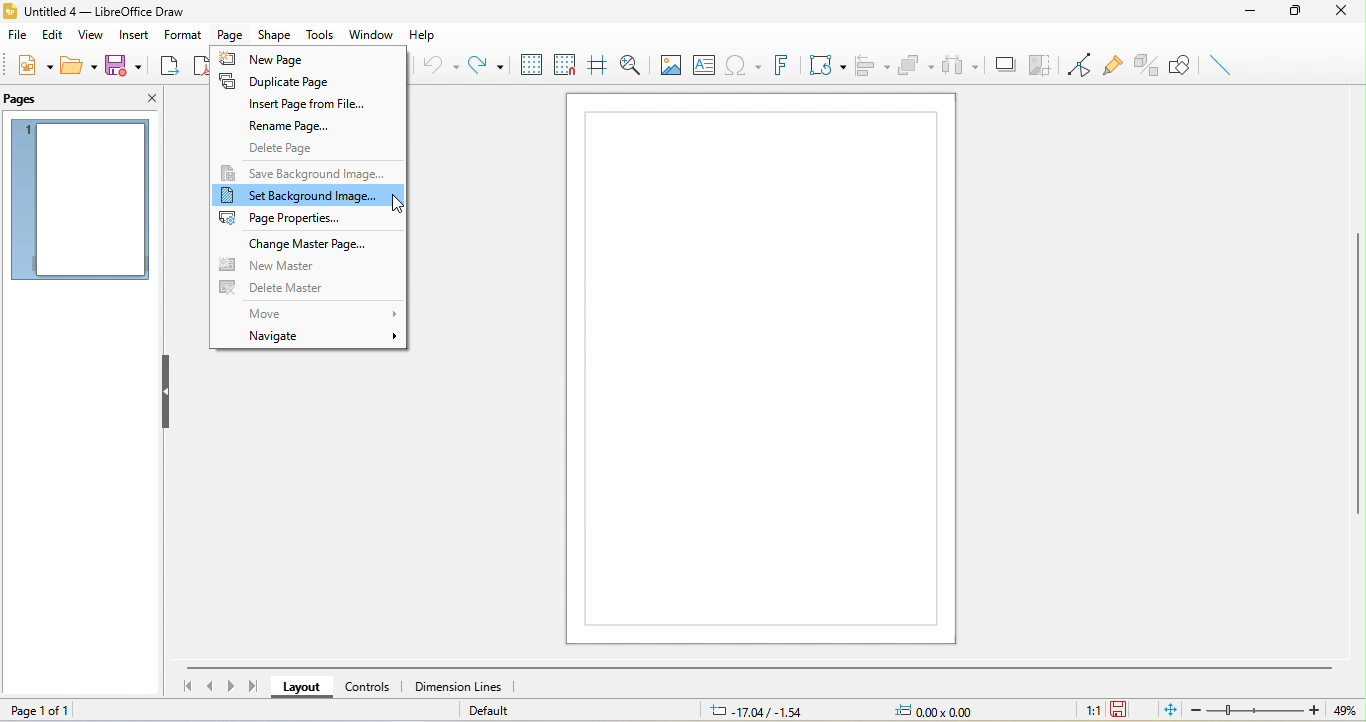 Image resolution: width=1366 pixels, height=722 pixels. I want to click on zoom and pan, so click(631, 64).